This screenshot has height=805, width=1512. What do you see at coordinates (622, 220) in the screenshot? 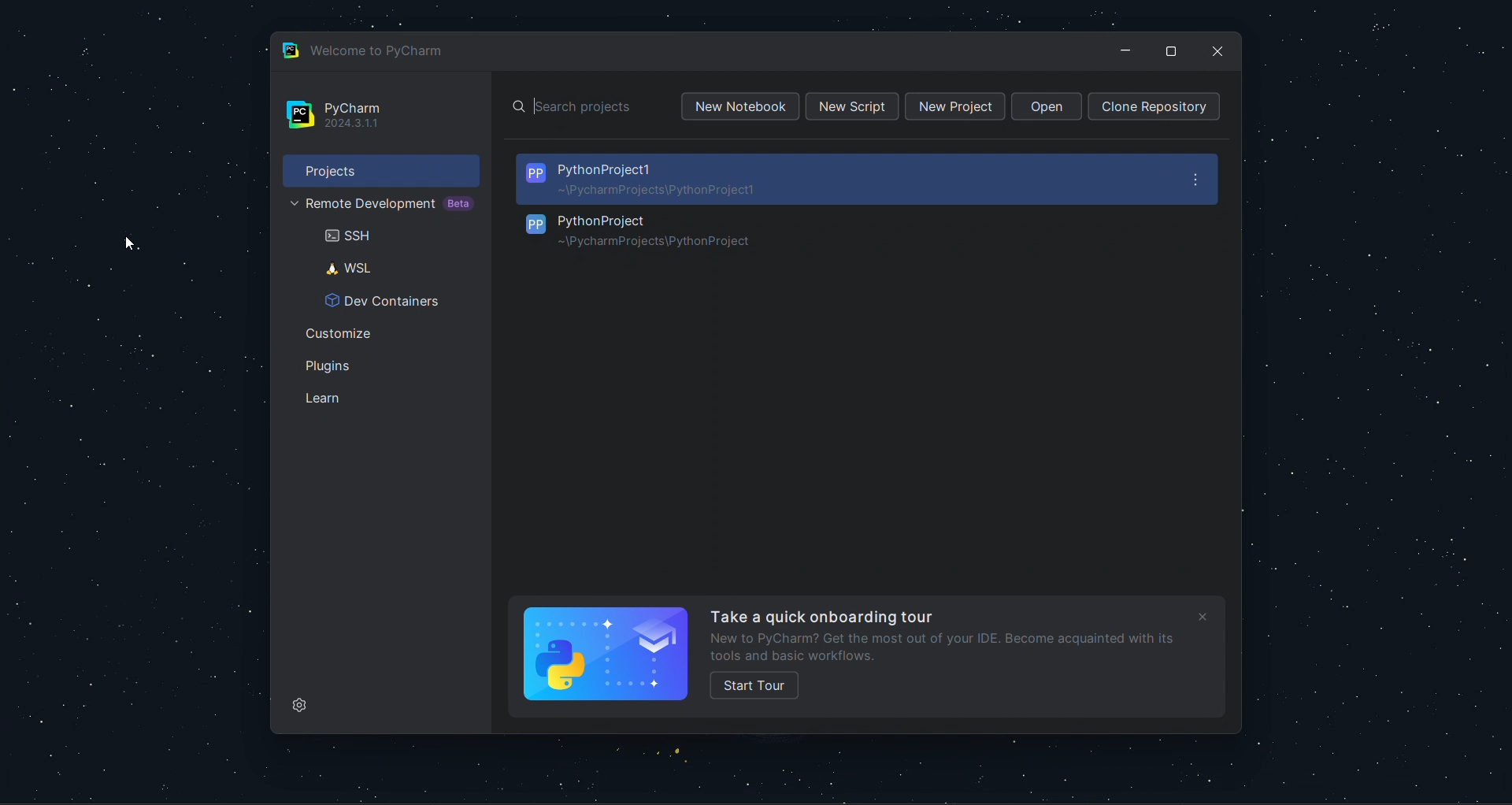
I see `PythonProject` at bounding box center [622, 220].